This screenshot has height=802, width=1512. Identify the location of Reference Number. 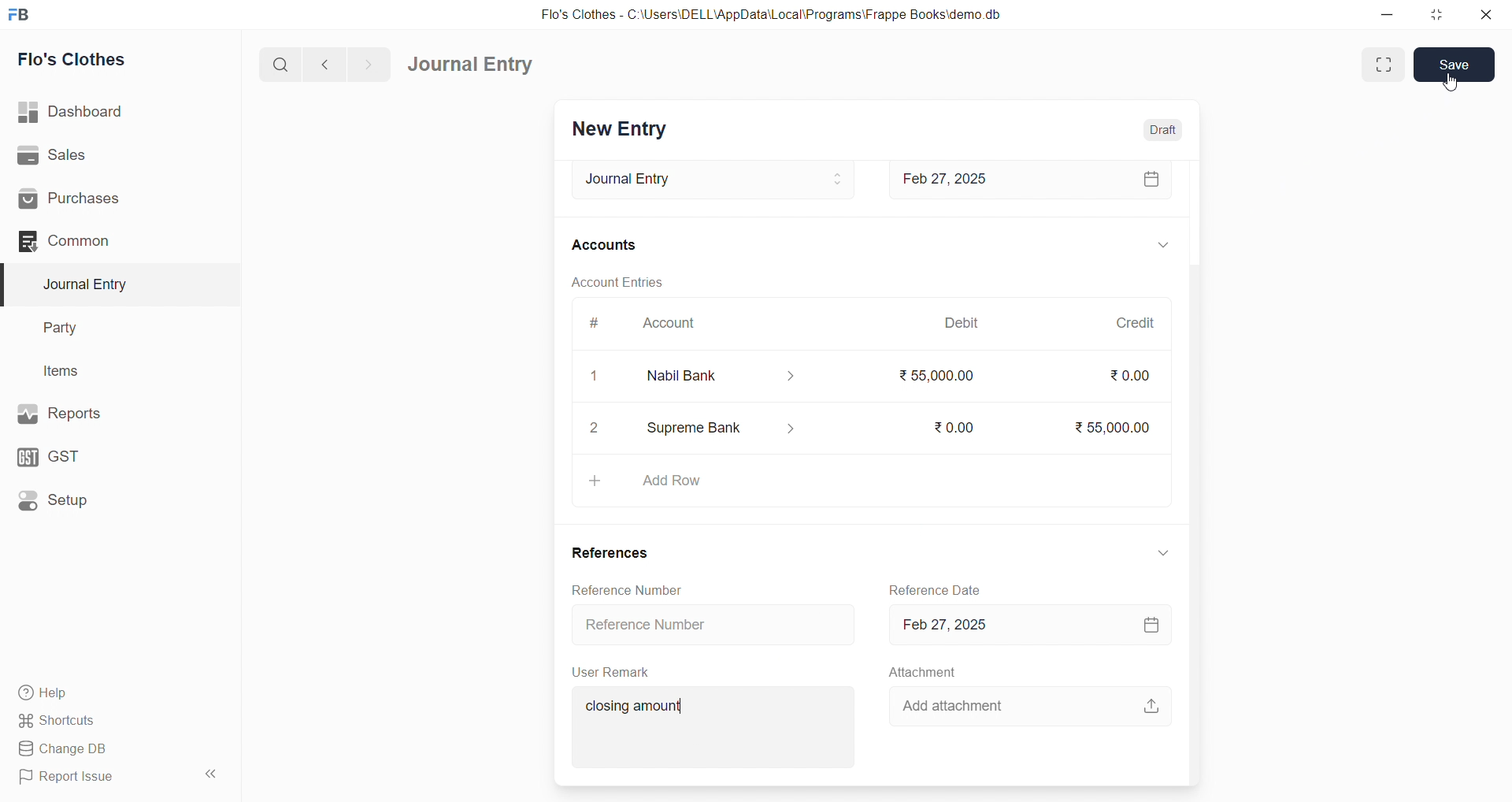
(627, 589).